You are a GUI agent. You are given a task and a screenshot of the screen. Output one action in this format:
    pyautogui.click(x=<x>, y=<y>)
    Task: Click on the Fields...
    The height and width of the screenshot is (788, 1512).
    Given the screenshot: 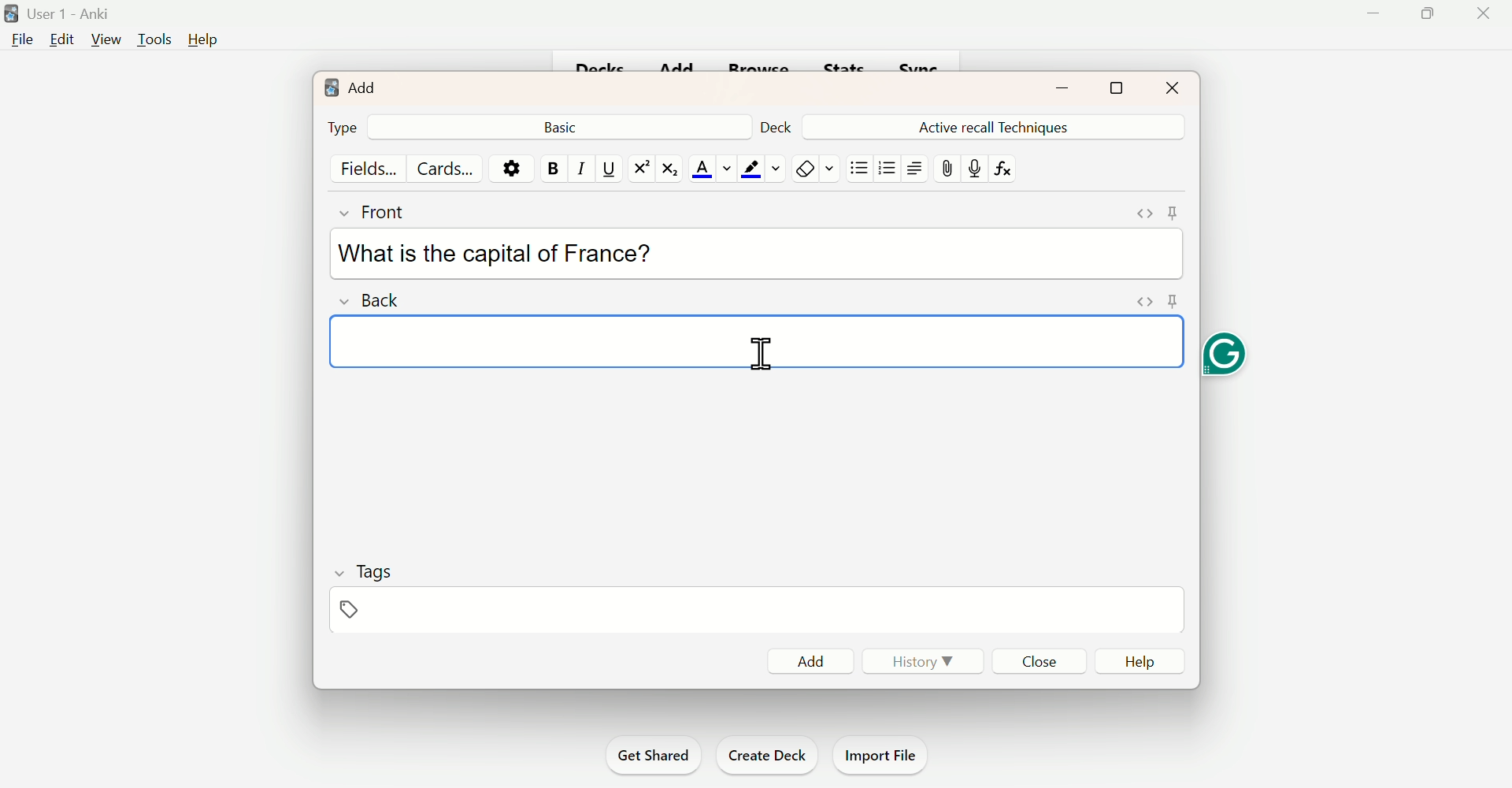 What is the action you would take?
    pyautogui.click(x=368, y=167)
    